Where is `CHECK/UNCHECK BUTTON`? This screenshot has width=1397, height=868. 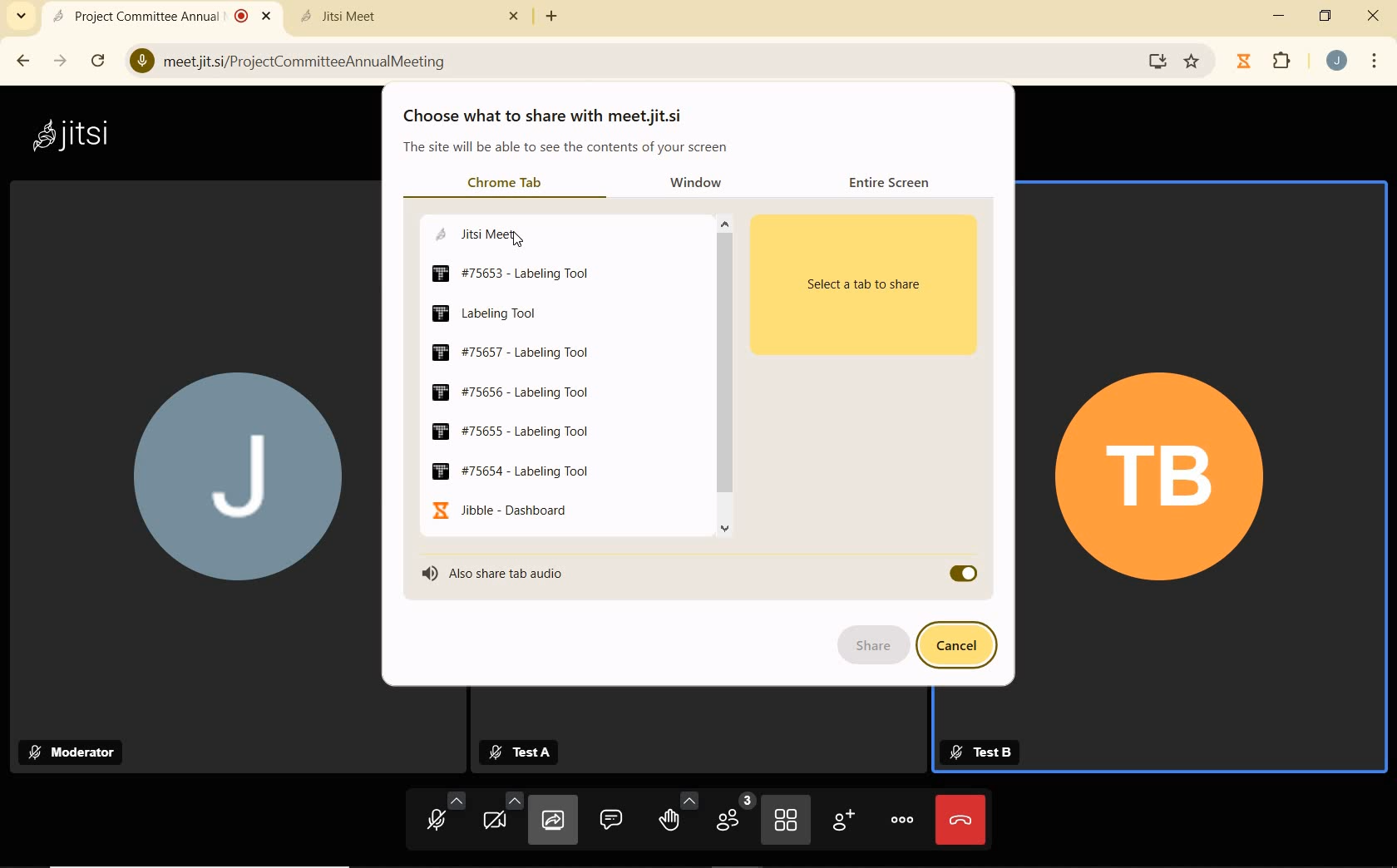
CHECK/UNCHECK BUTTON is located at coordinates (962, 574).